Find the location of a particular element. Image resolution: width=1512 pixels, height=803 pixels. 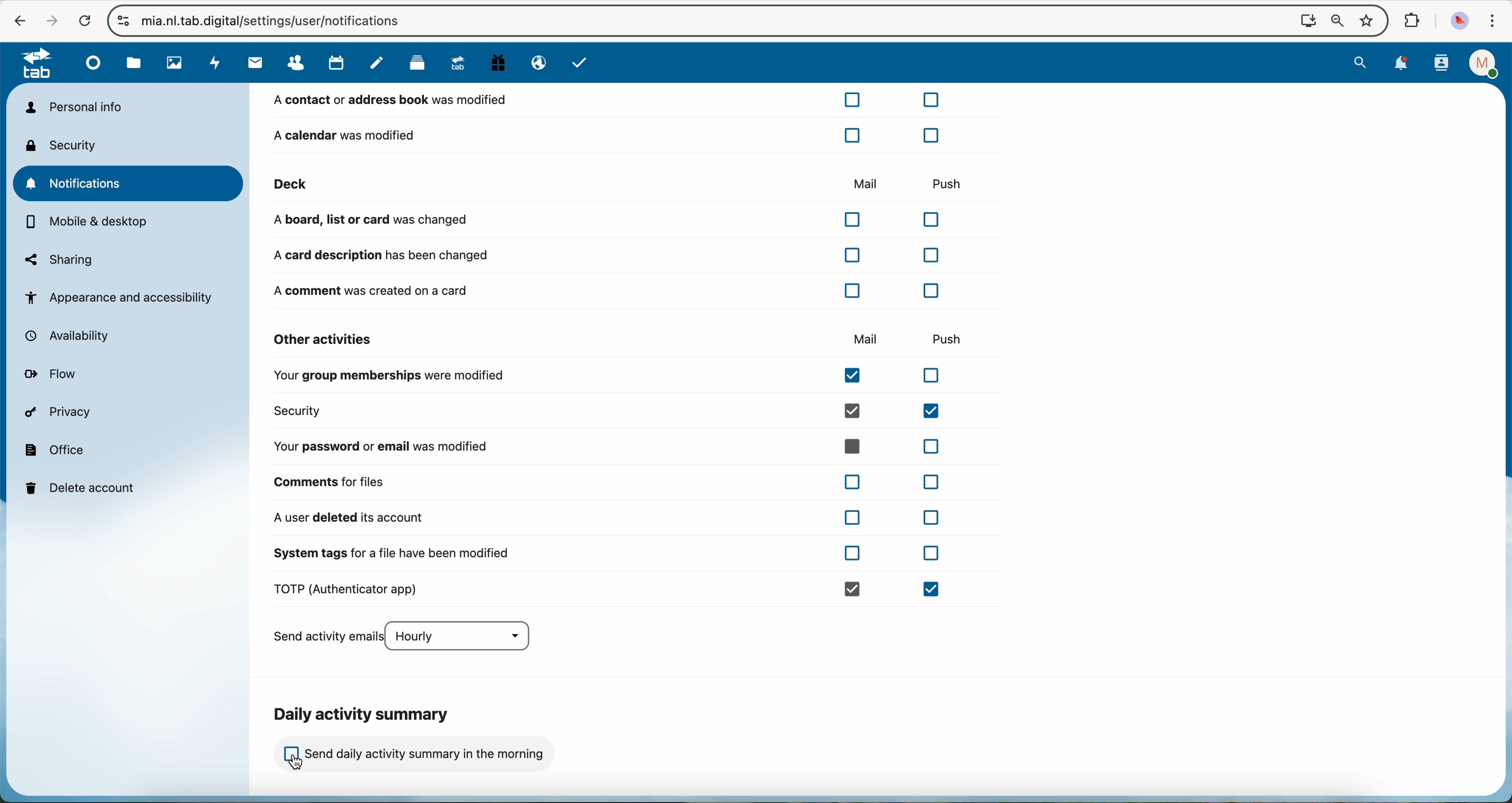

TOTP (authenticator app) is located at coordinates (612, 590).